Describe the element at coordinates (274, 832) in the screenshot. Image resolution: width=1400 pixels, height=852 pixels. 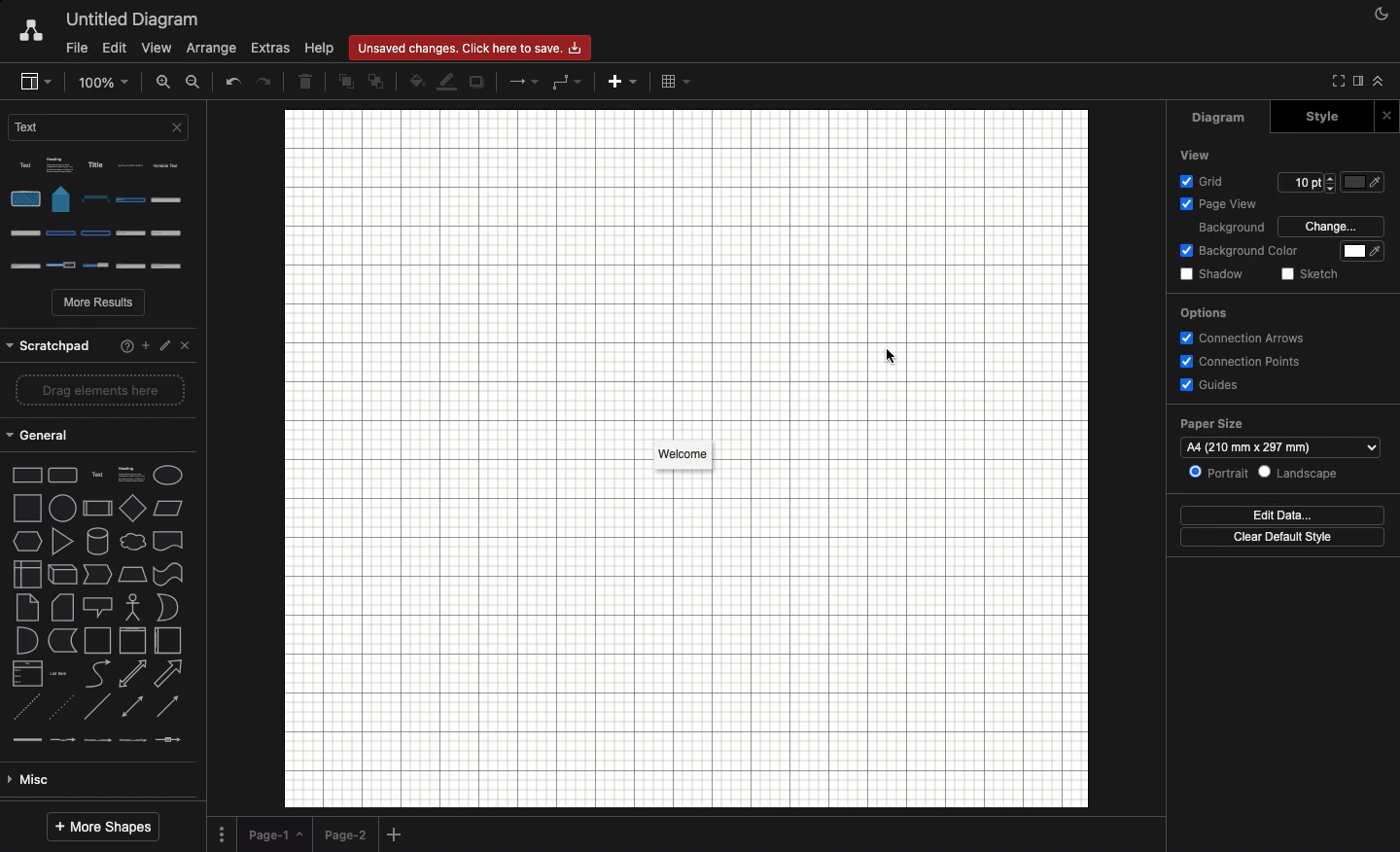
I see `Page 1` at that location.